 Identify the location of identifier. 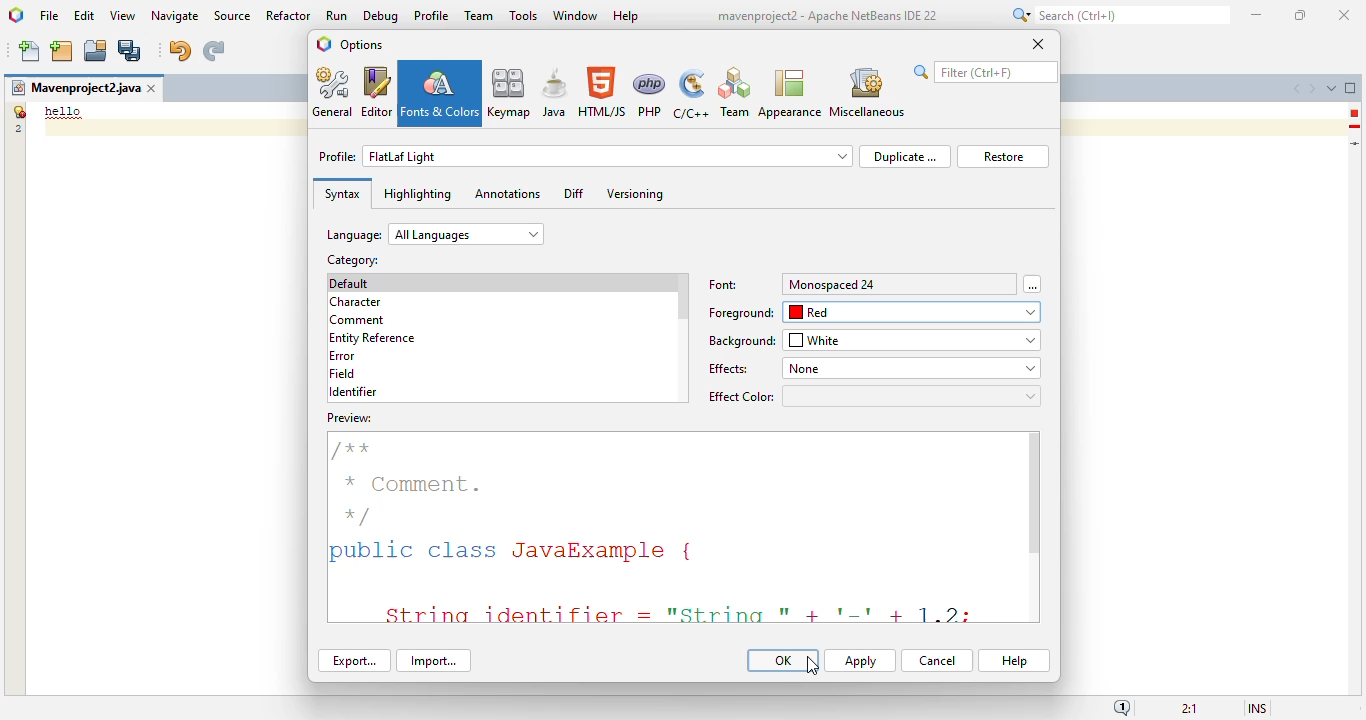
(353, 392).